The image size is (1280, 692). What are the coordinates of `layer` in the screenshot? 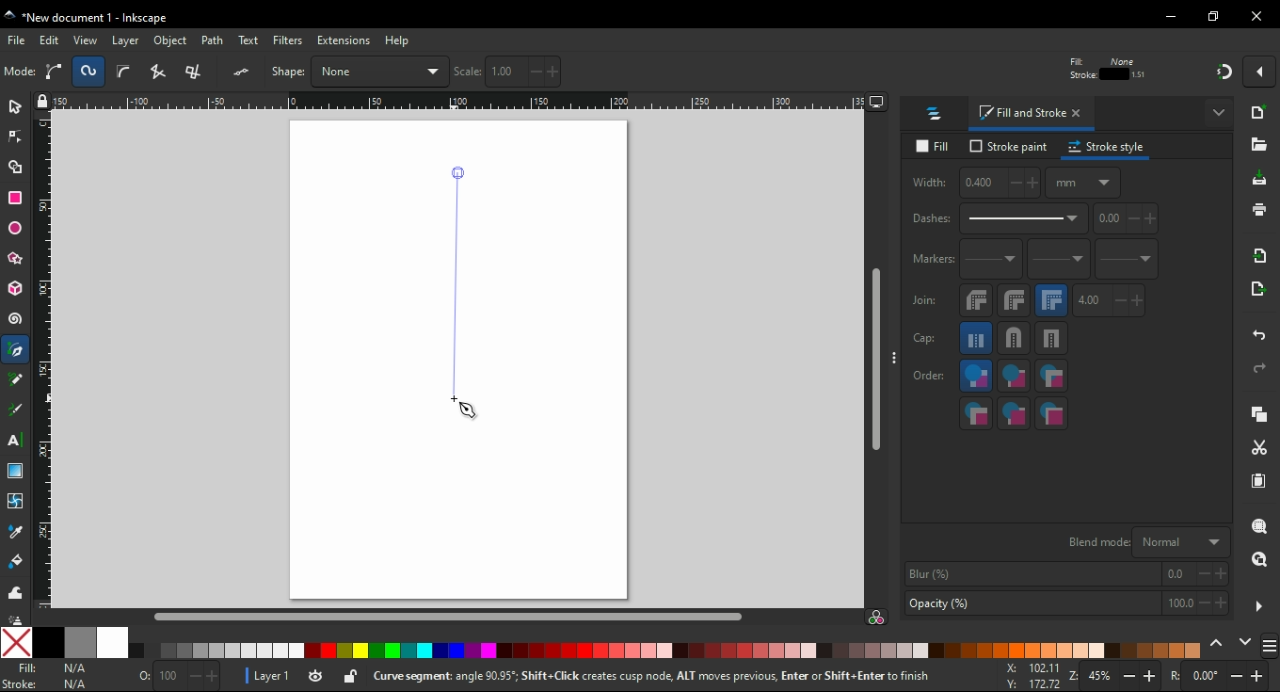 It's located at (128, 40).